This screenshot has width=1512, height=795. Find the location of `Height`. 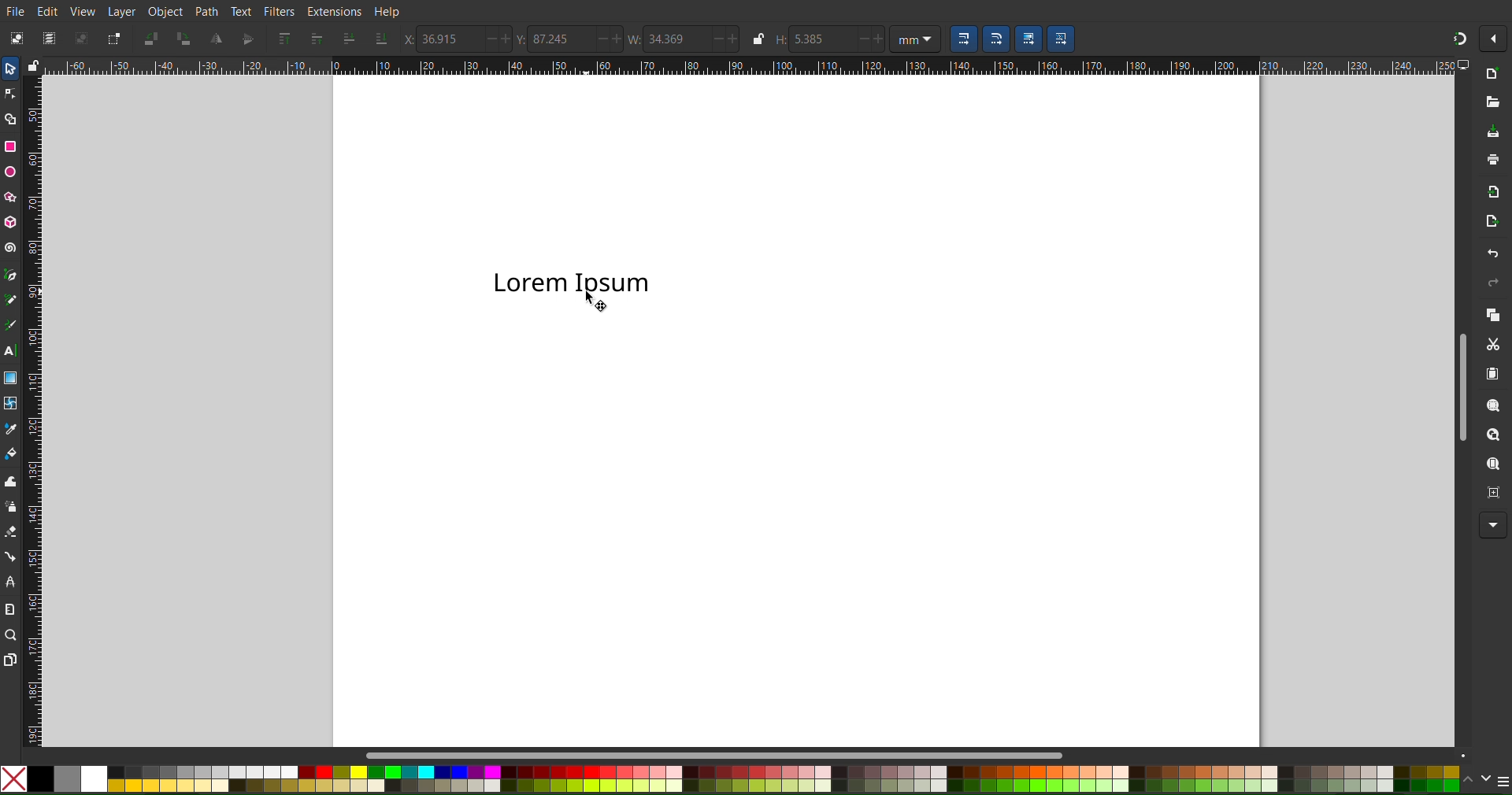

Height is located at coordinates (828, 38).